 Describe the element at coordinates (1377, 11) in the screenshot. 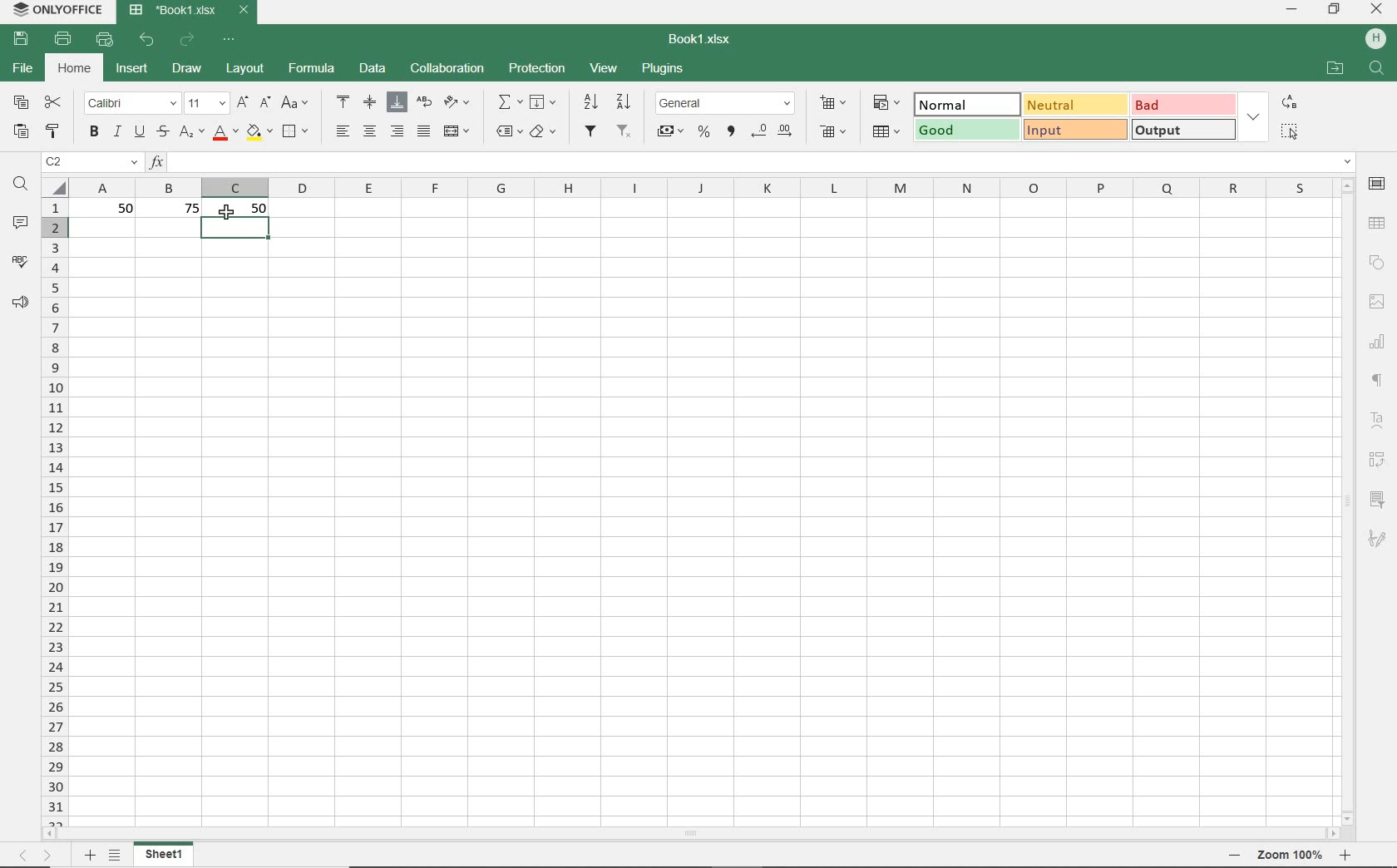

I see `close` at that location.